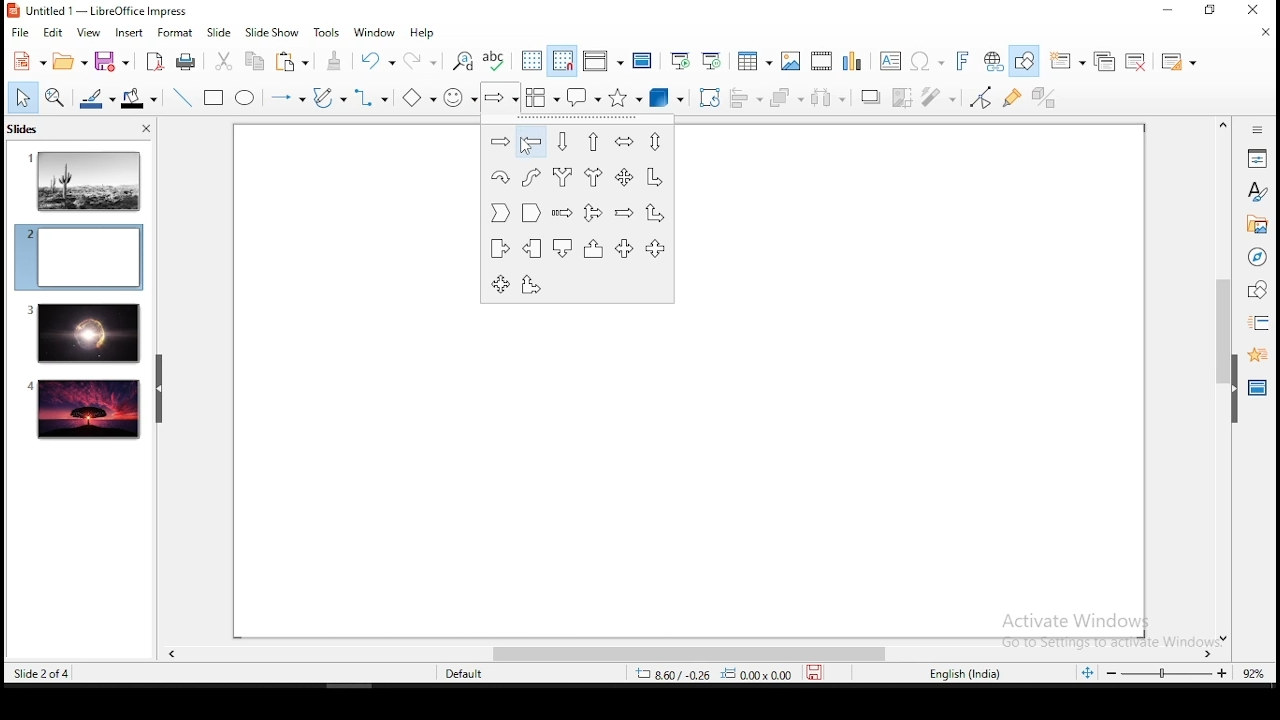 This screenshot has width=1280, height=720. I want to click on clone formatting, so click(335, 61).